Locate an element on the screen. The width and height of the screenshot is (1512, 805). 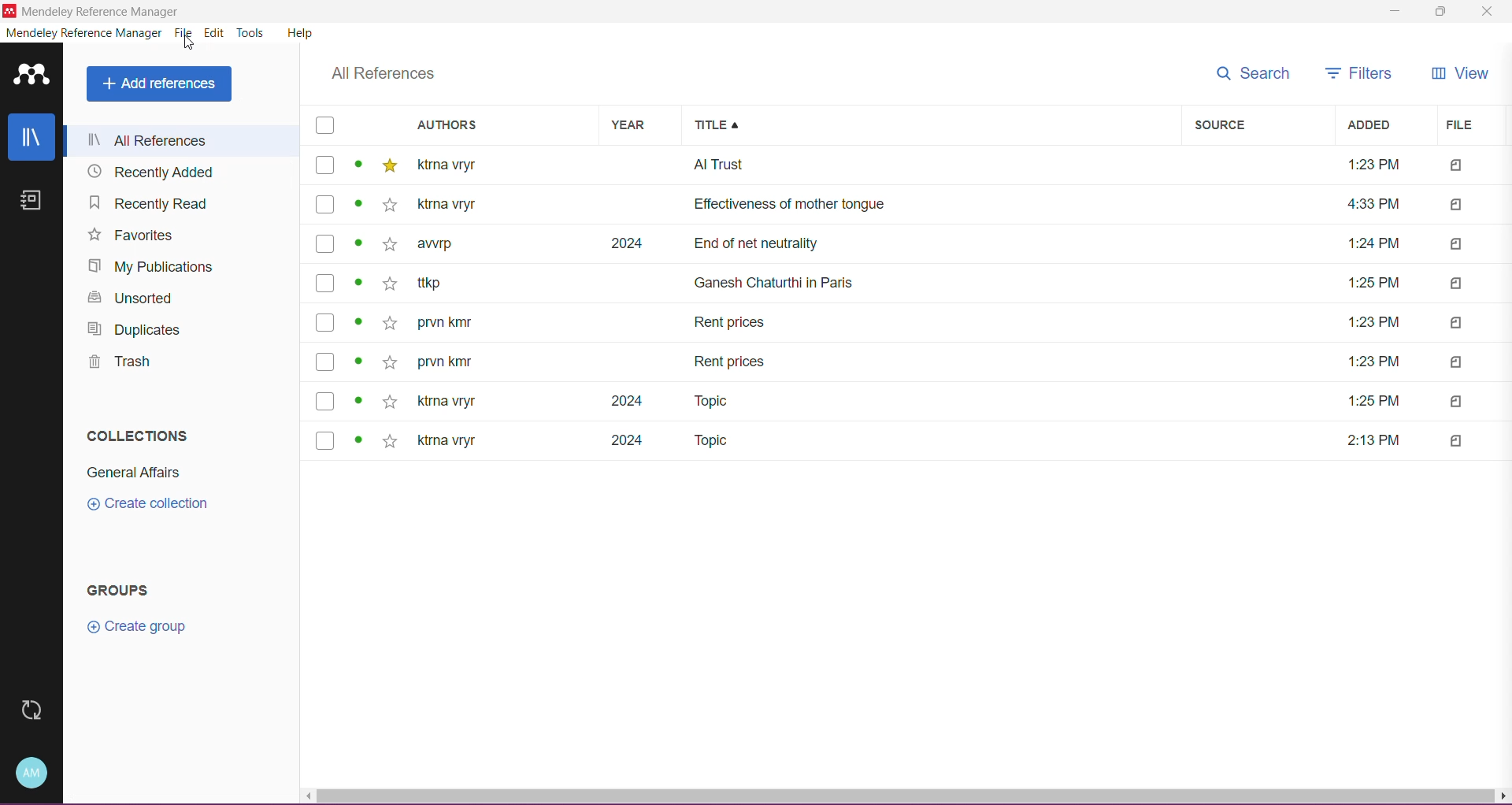
Minimize is located at coordinates (1393, 12).